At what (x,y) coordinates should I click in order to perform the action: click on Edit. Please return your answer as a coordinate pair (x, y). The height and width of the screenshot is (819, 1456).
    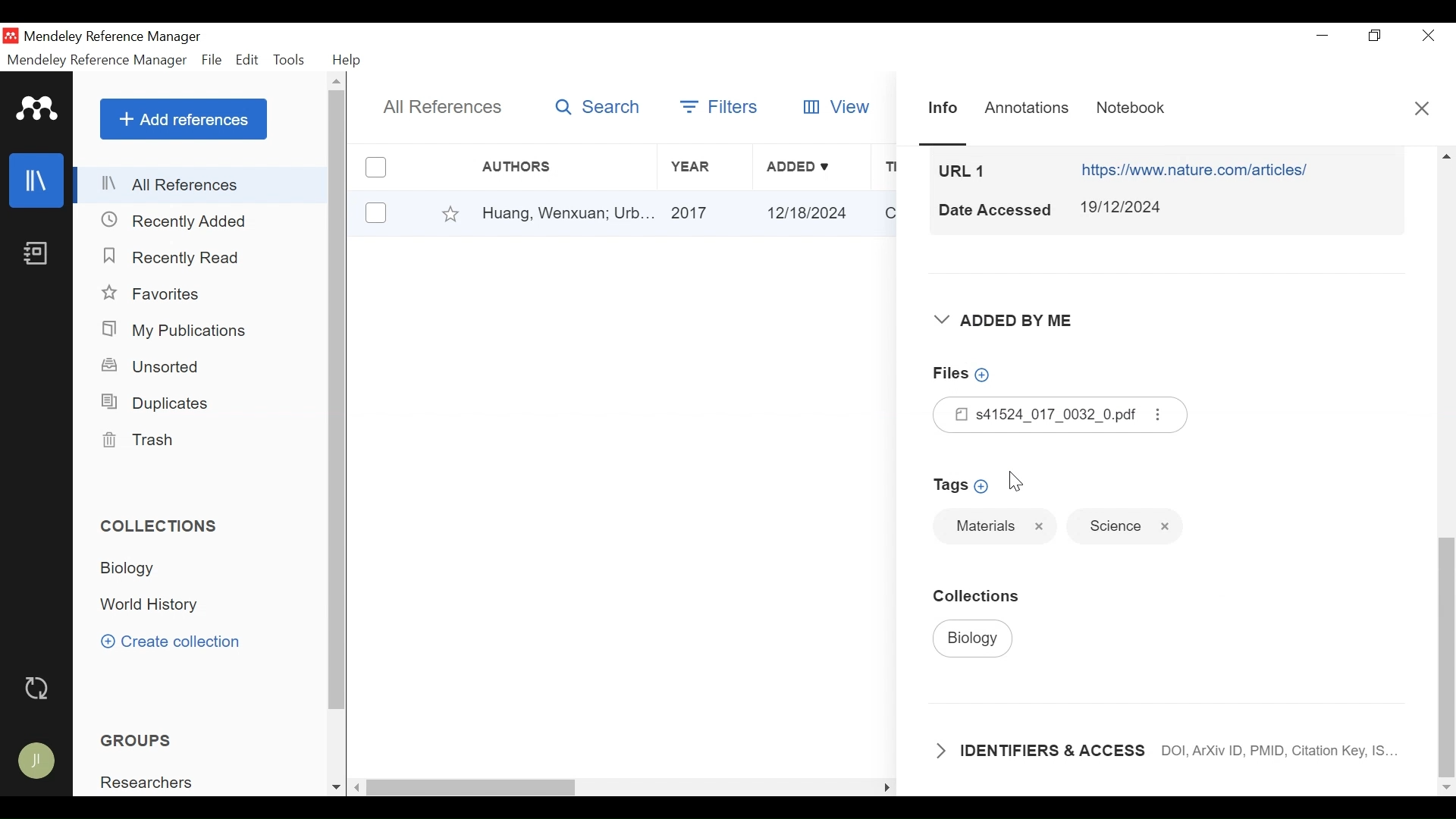
    Looking at the image, I should click on (248, 61).